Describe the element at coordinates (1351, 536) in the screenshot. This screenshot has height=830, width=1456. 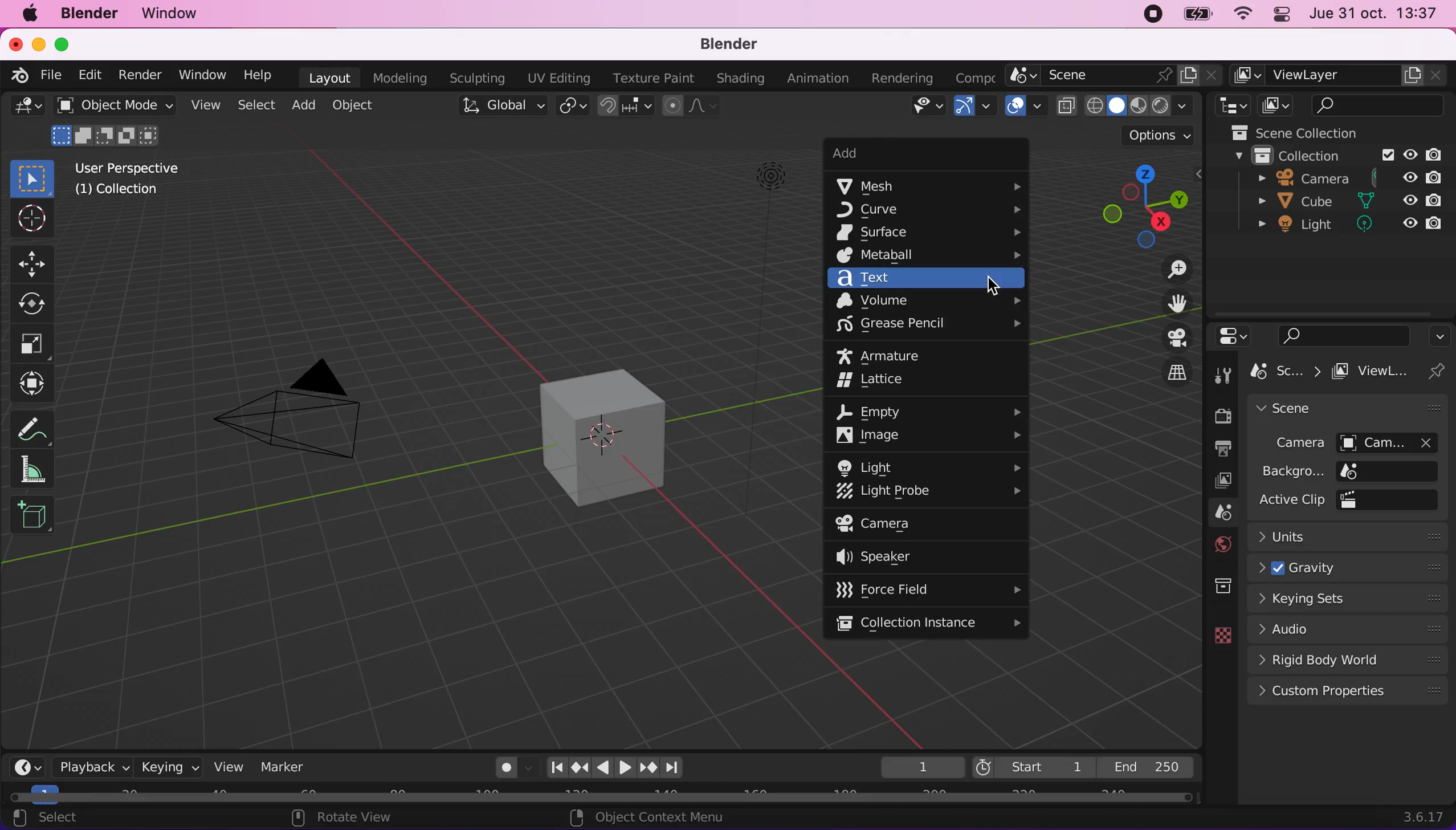
I see `units` at that location.